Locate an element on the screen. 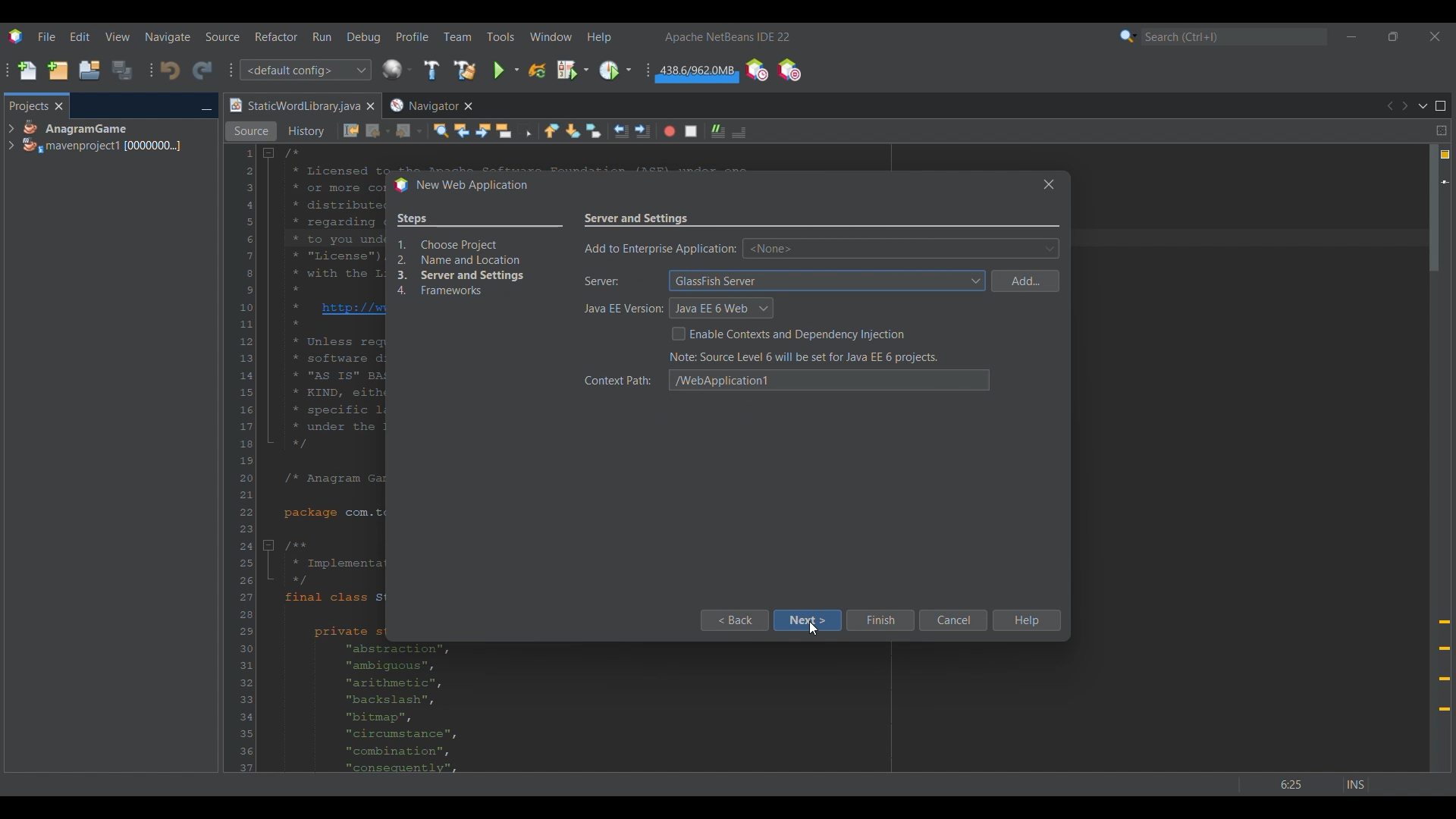 The height and width of the screenshot is (819, 1456). Start macro recording is located at coordinates (670, 131).